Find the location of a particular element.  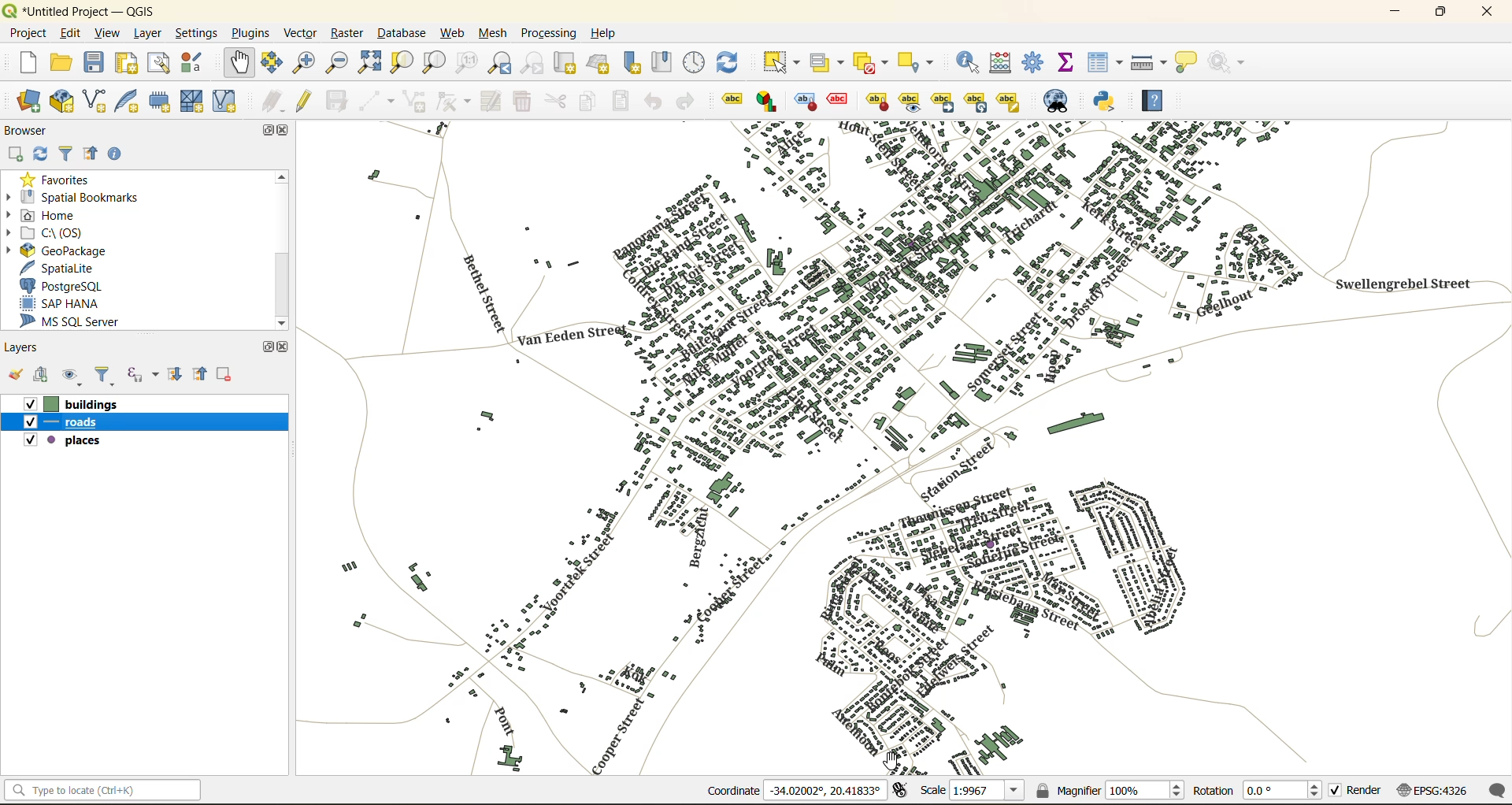

calculator is located at coordinates (1002, 64).